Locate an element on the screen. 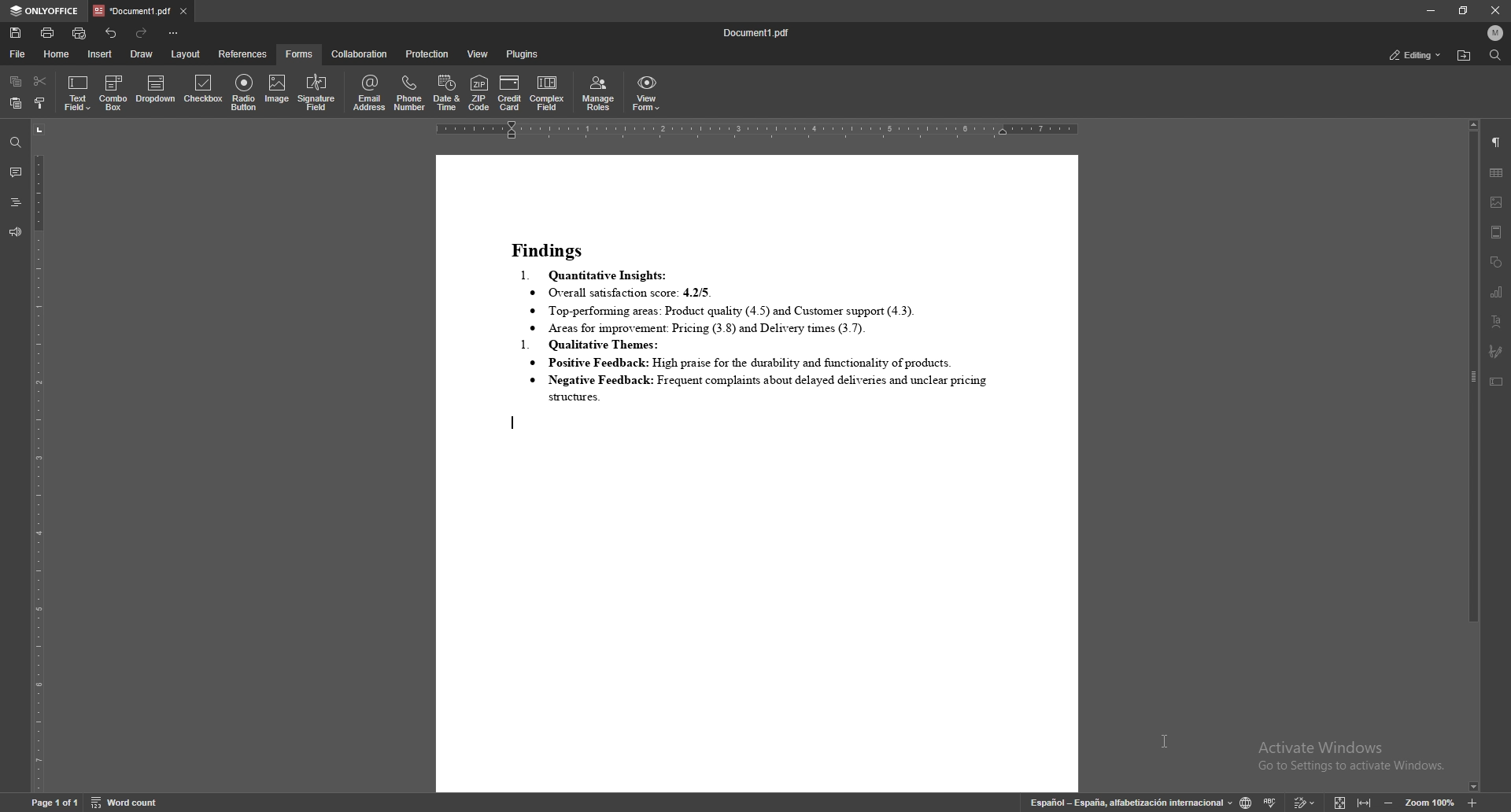  paste is located at coordinates (16, 103).